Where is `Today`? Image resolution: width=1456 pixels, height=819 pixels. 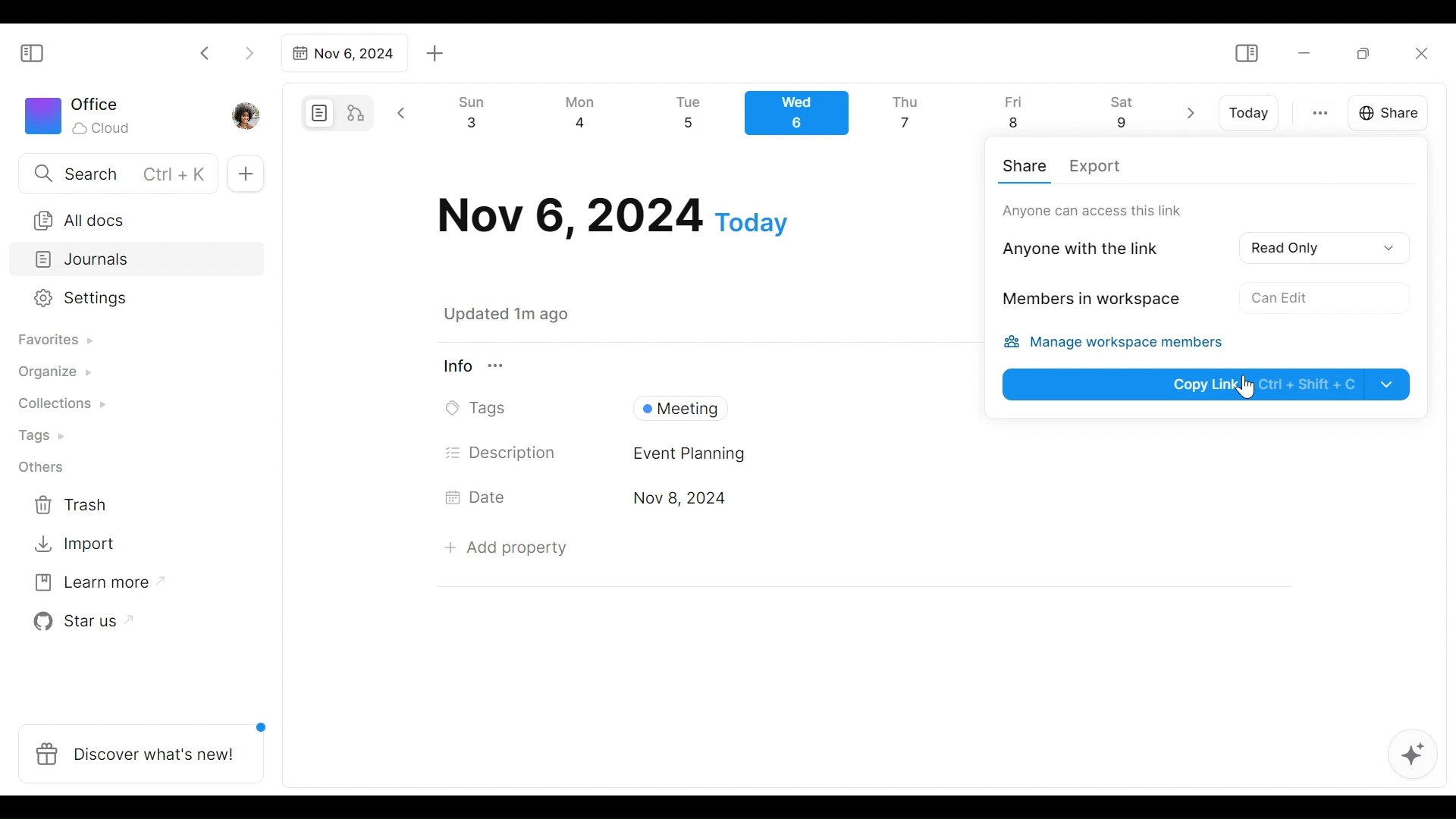 Today is located at coordinates (1250, 113).